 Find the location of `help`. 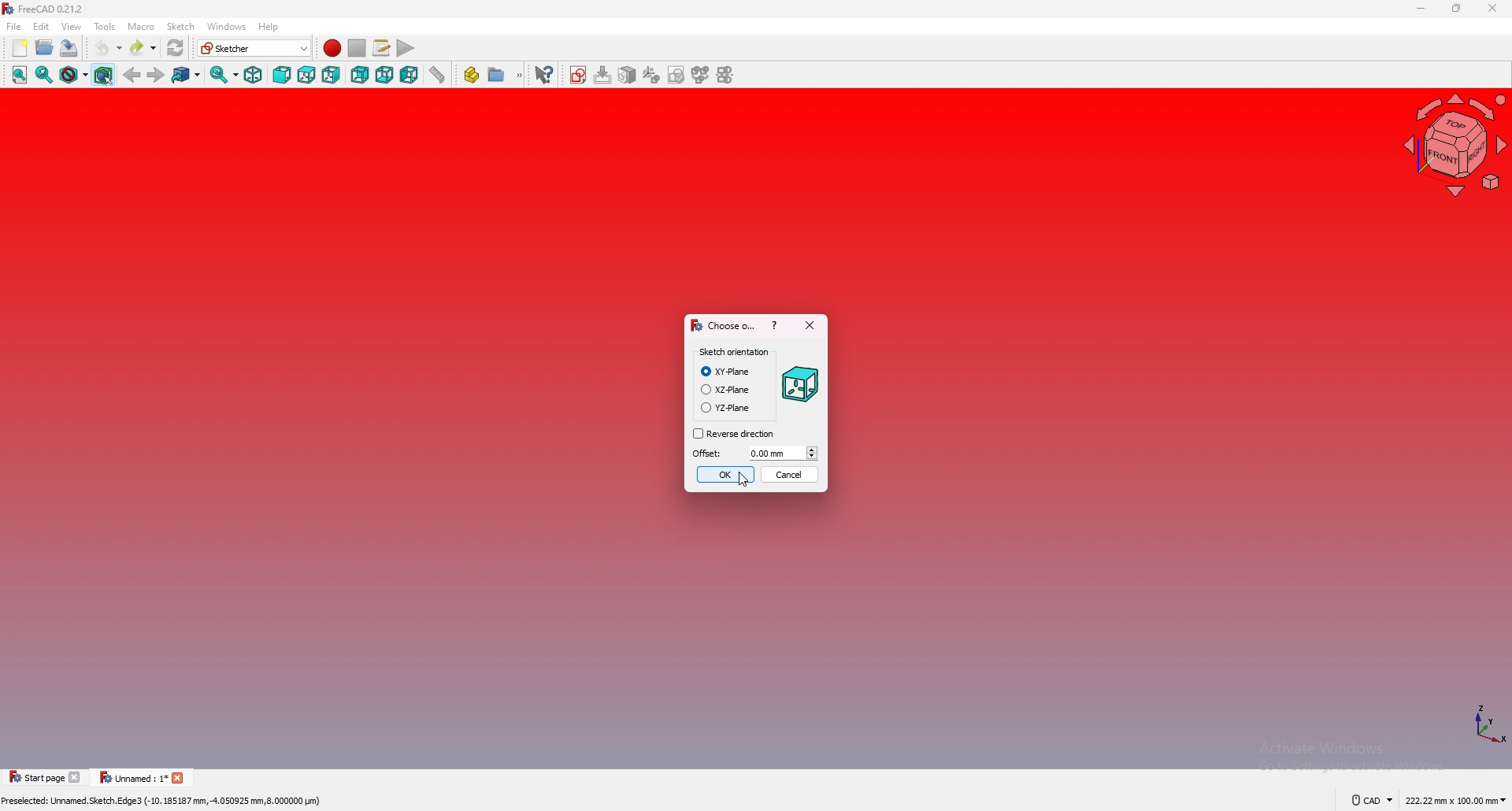

help is located at coordinates (271, 26).